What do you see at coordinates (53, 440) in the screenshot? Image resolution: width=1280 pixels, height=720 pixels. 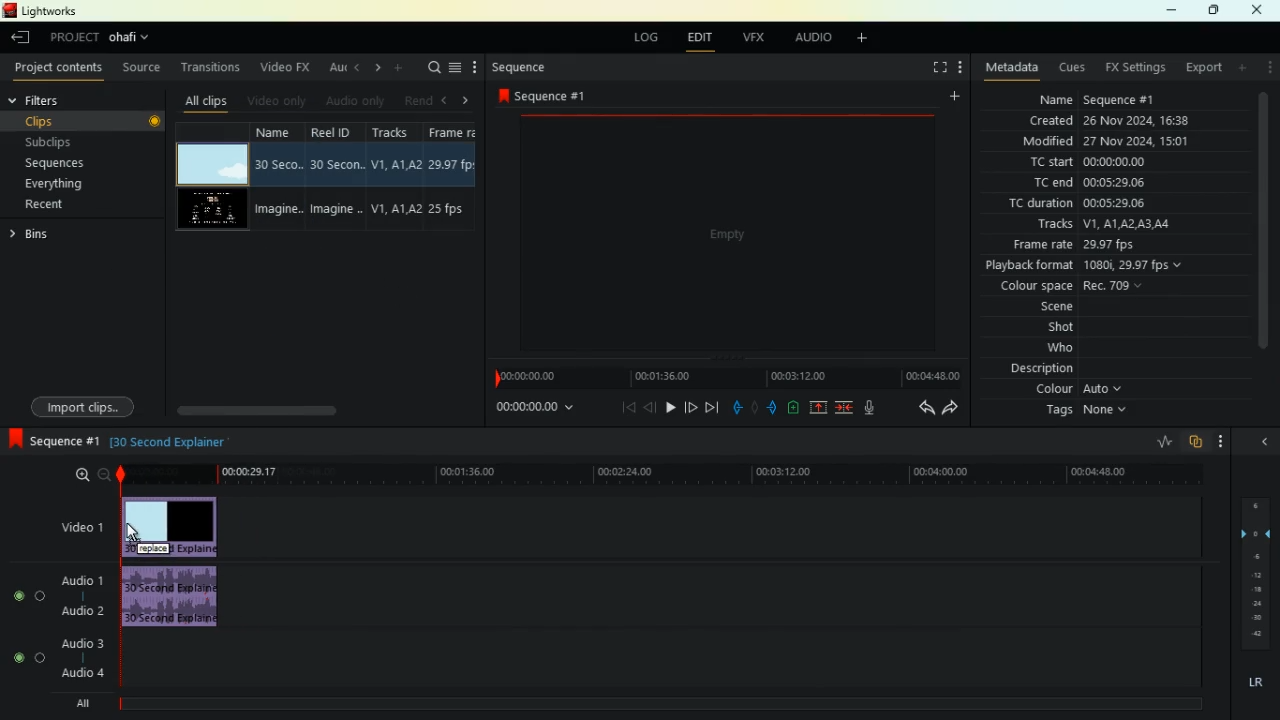 I see `sequence` at bounding box center [53, 440].